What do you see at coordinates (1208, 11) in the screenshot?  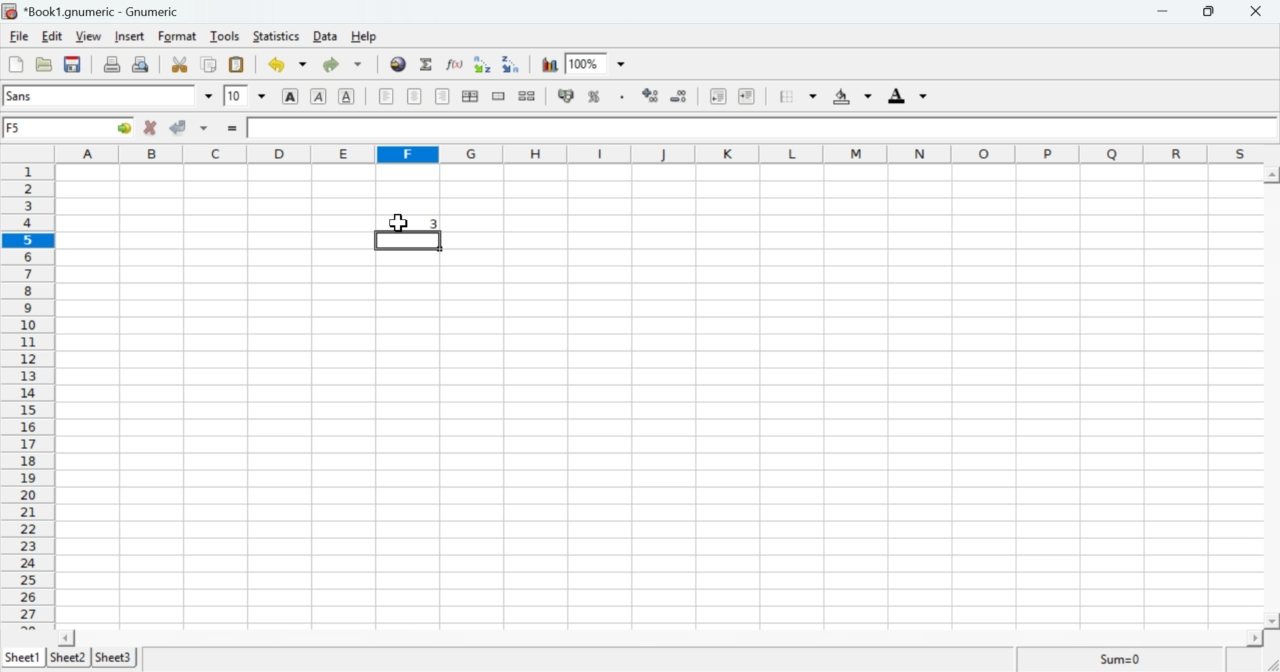 I see `Minimise` at bounding box center [1208, 11].